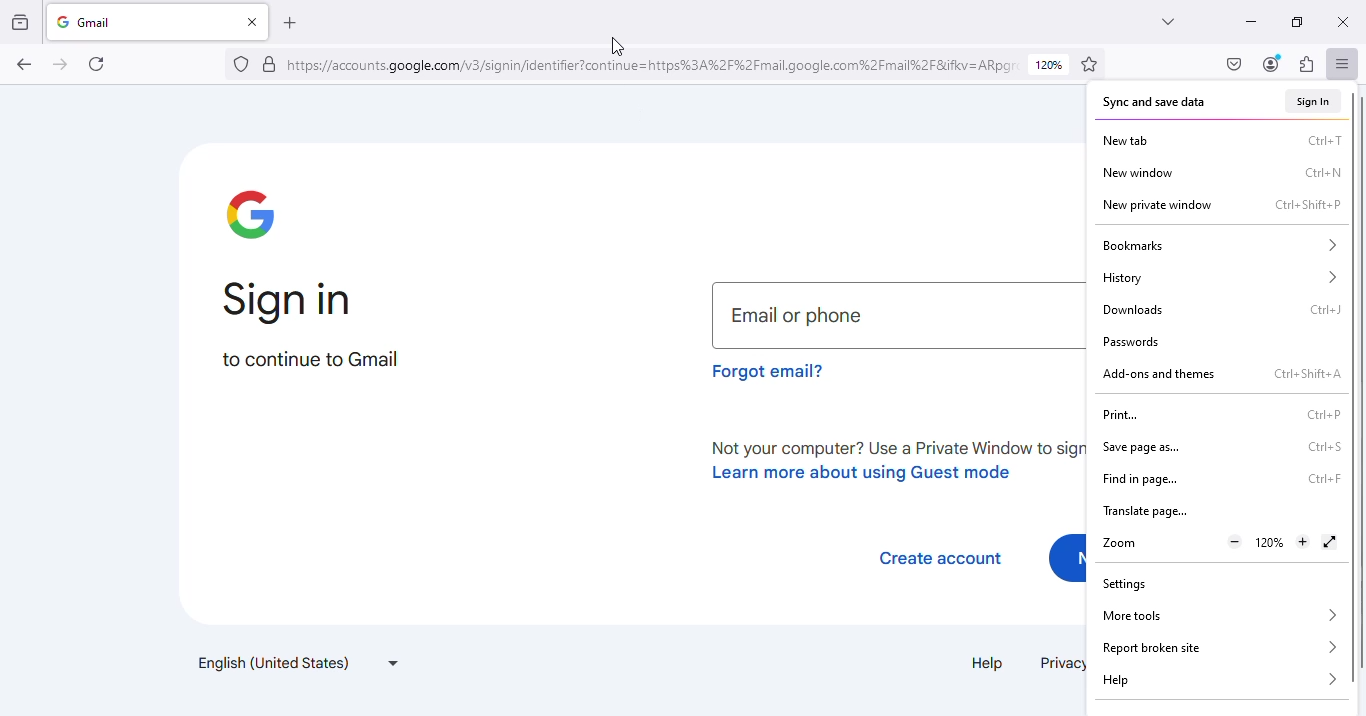  Describe the element at coordinates (1235, 543) in the screenshot. I see `zoom out` at that location.